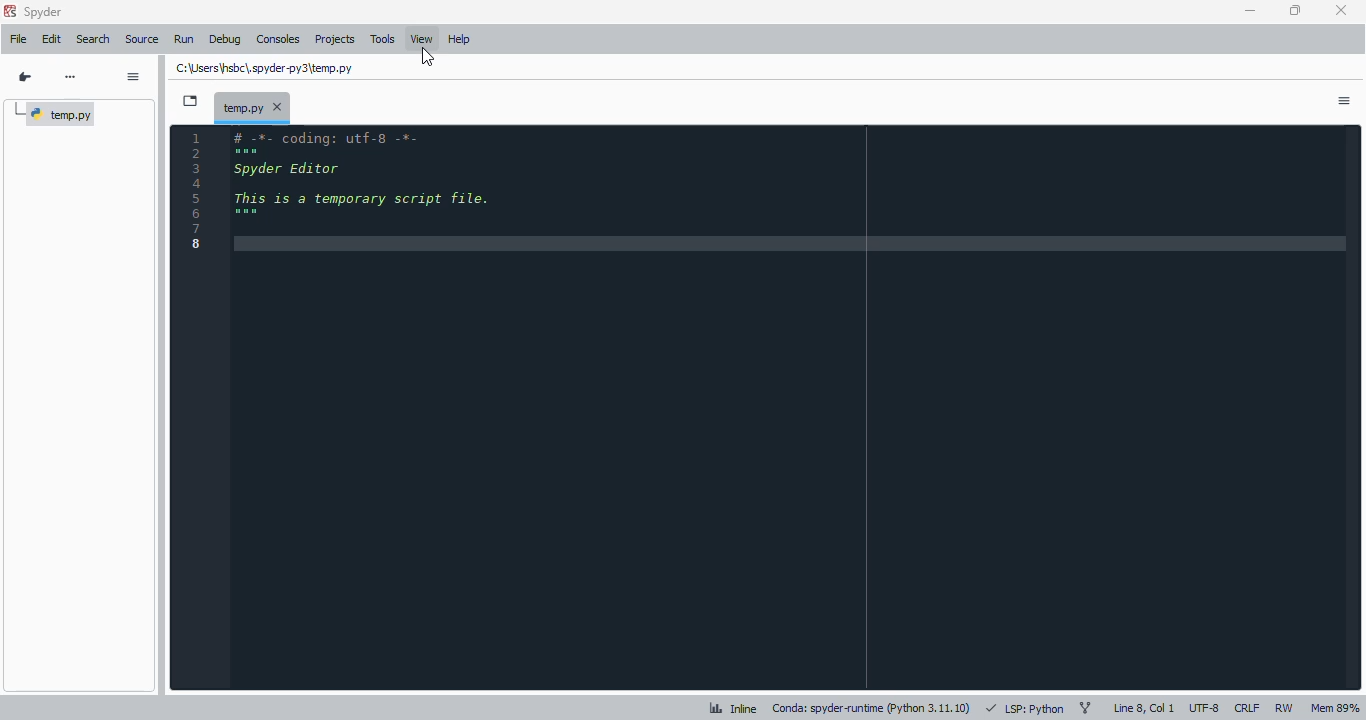 Image resolution: width=1366 pixels, height=720 pixels. Describe the element at coordinates (1296, 10) in the screenshot. I see `maximize` at that location.